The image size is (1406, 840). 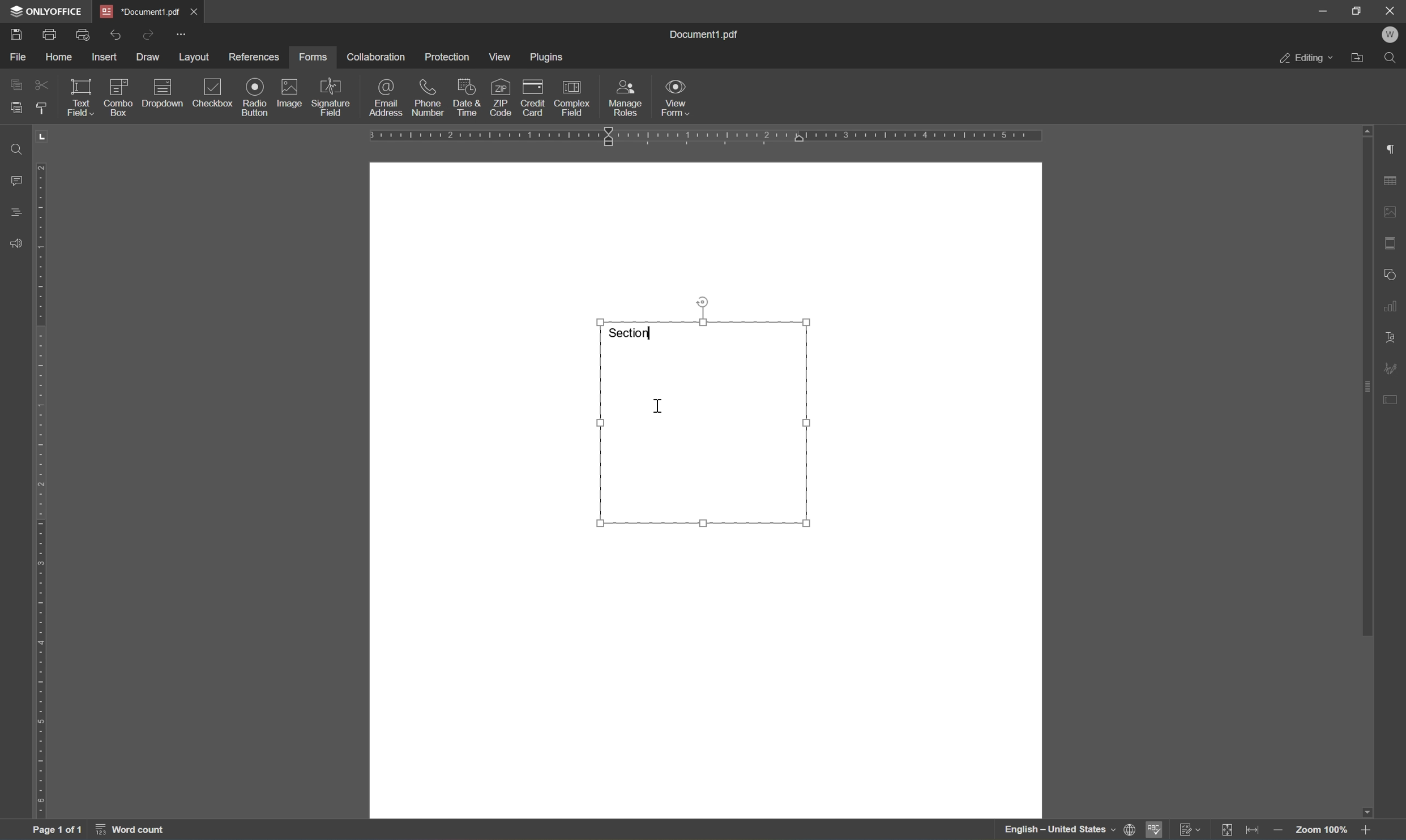 I want to click on undo, so click(x=117, y=33).